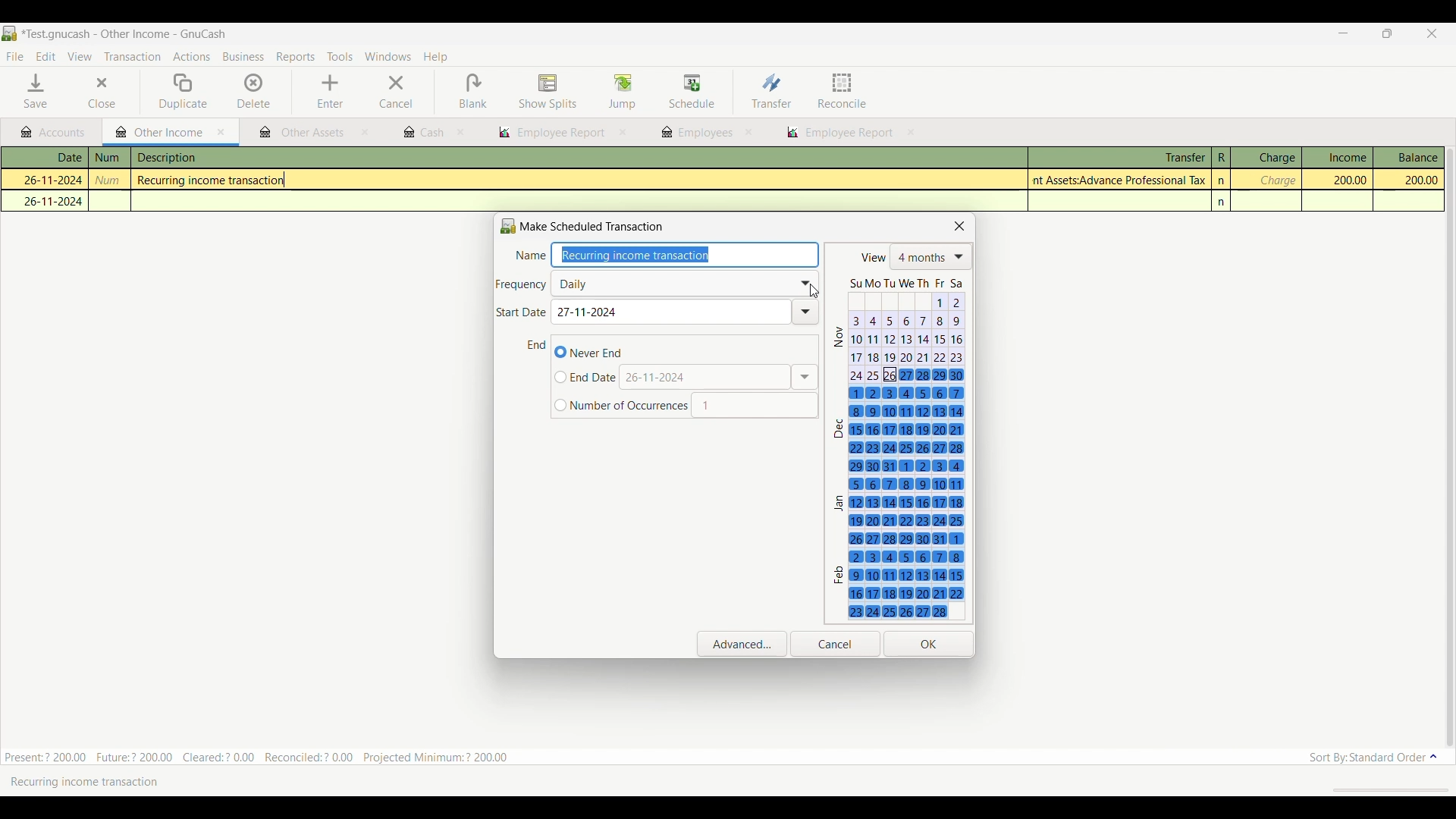 This screenshot has height=819, width=1456. What do you see at coordinates (960, 226) in the screenshot?
I see `Close scheduled ` at bounding box center [960, 226].